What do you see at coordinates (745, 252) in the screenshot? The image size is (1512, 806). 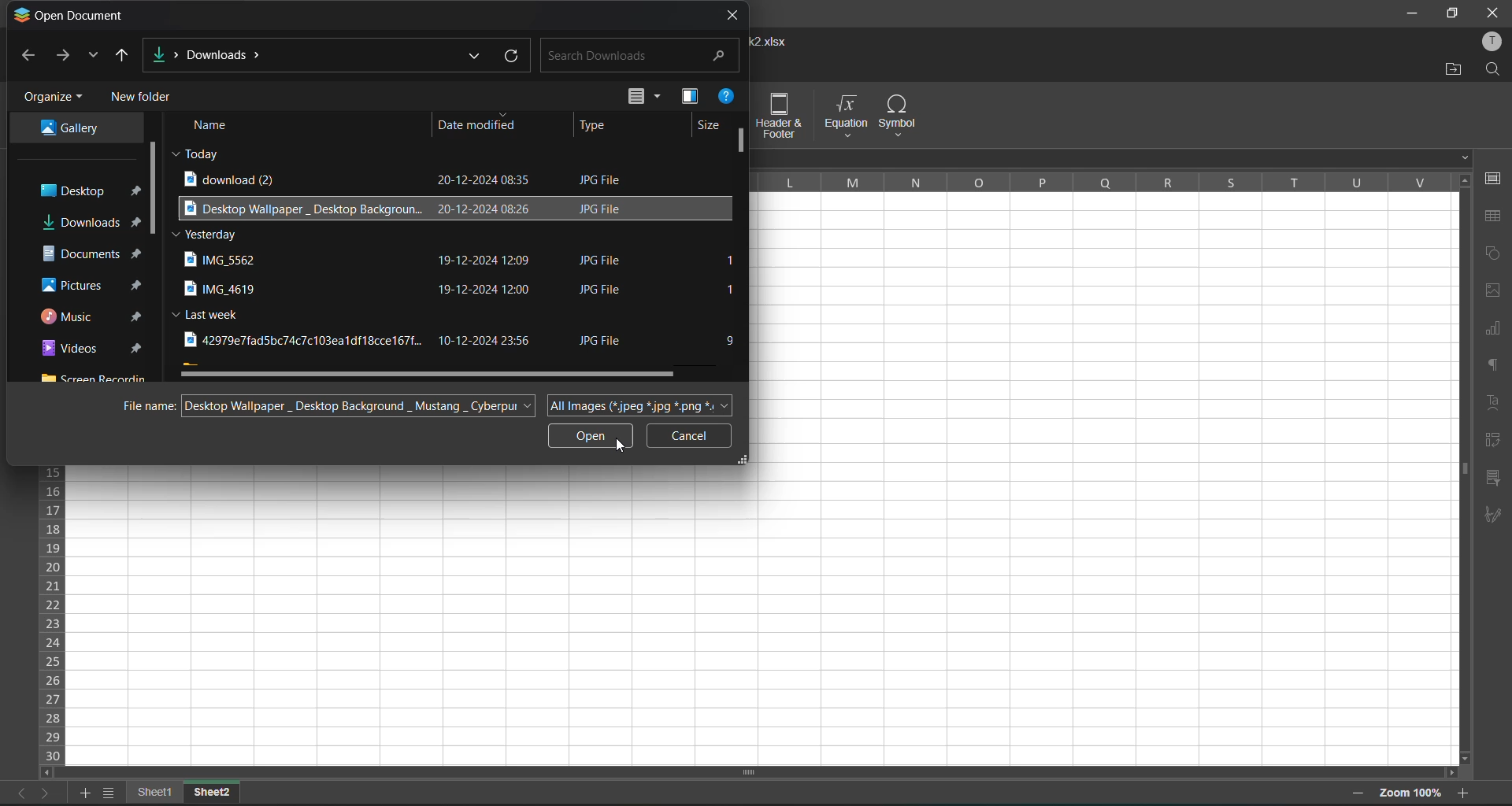 I see `scroll bar` at bounding box center [745, 252].